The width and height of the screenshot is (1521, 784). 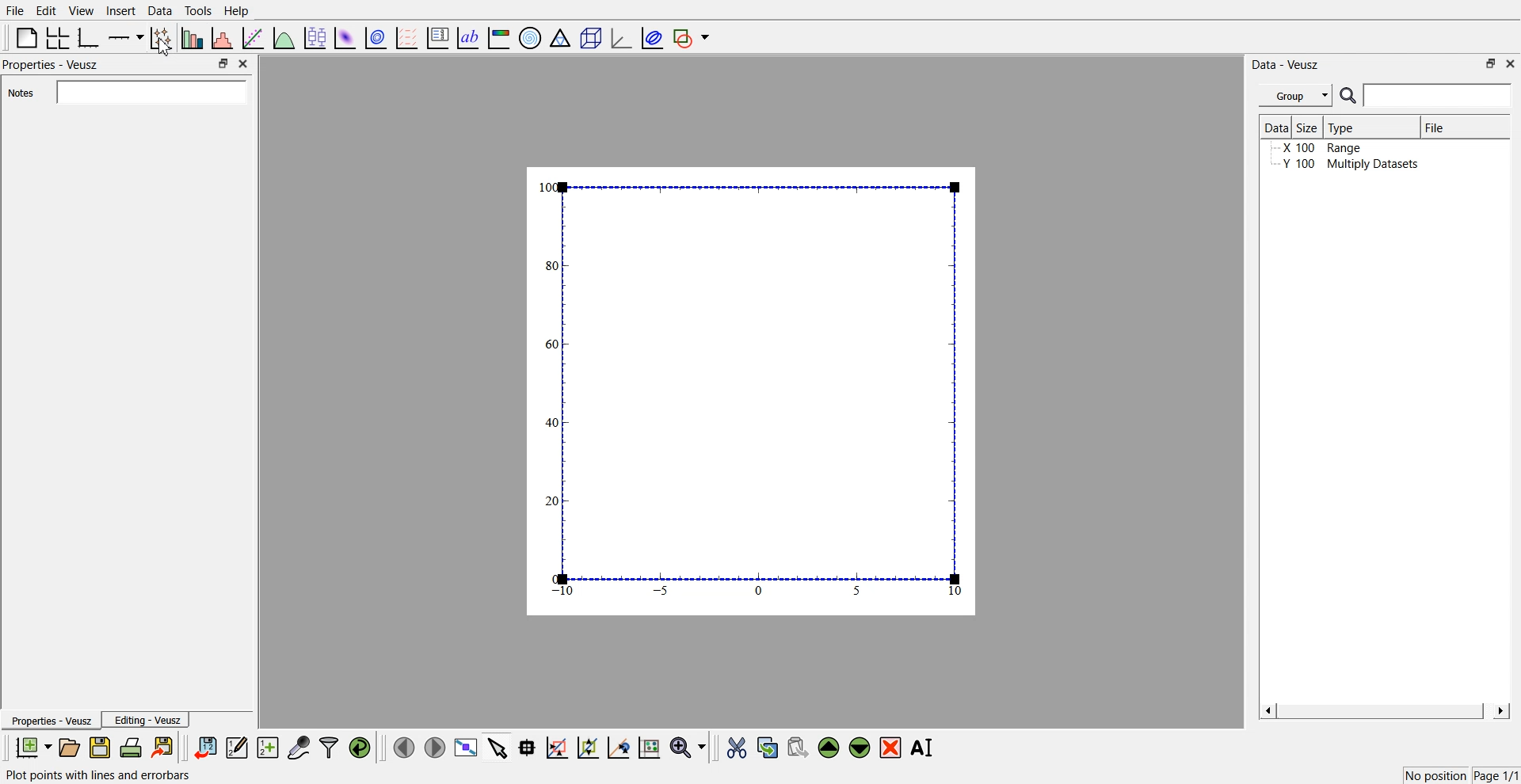 I want to click on new documents, so click(x=31, y=747).